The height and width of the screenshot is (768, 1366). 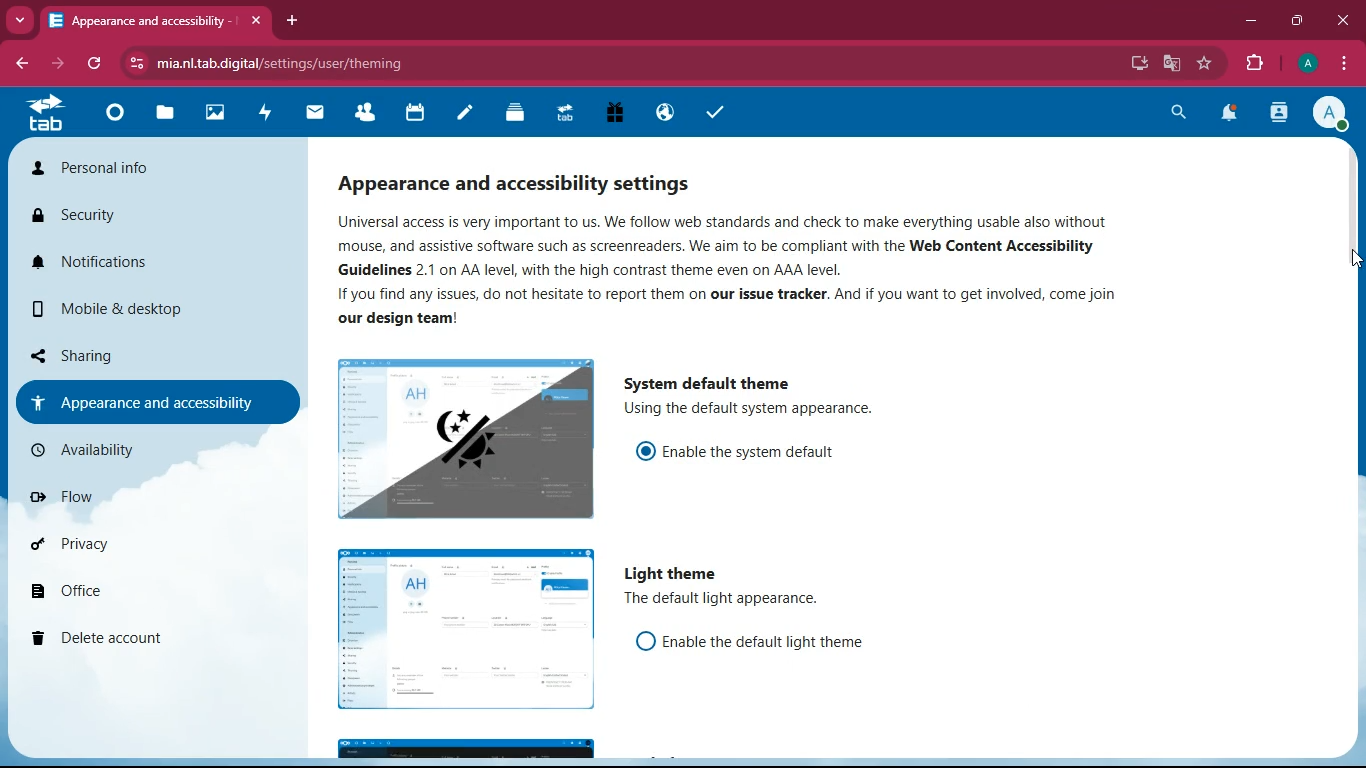 I want to click on mail, so click(x=313, y=114).